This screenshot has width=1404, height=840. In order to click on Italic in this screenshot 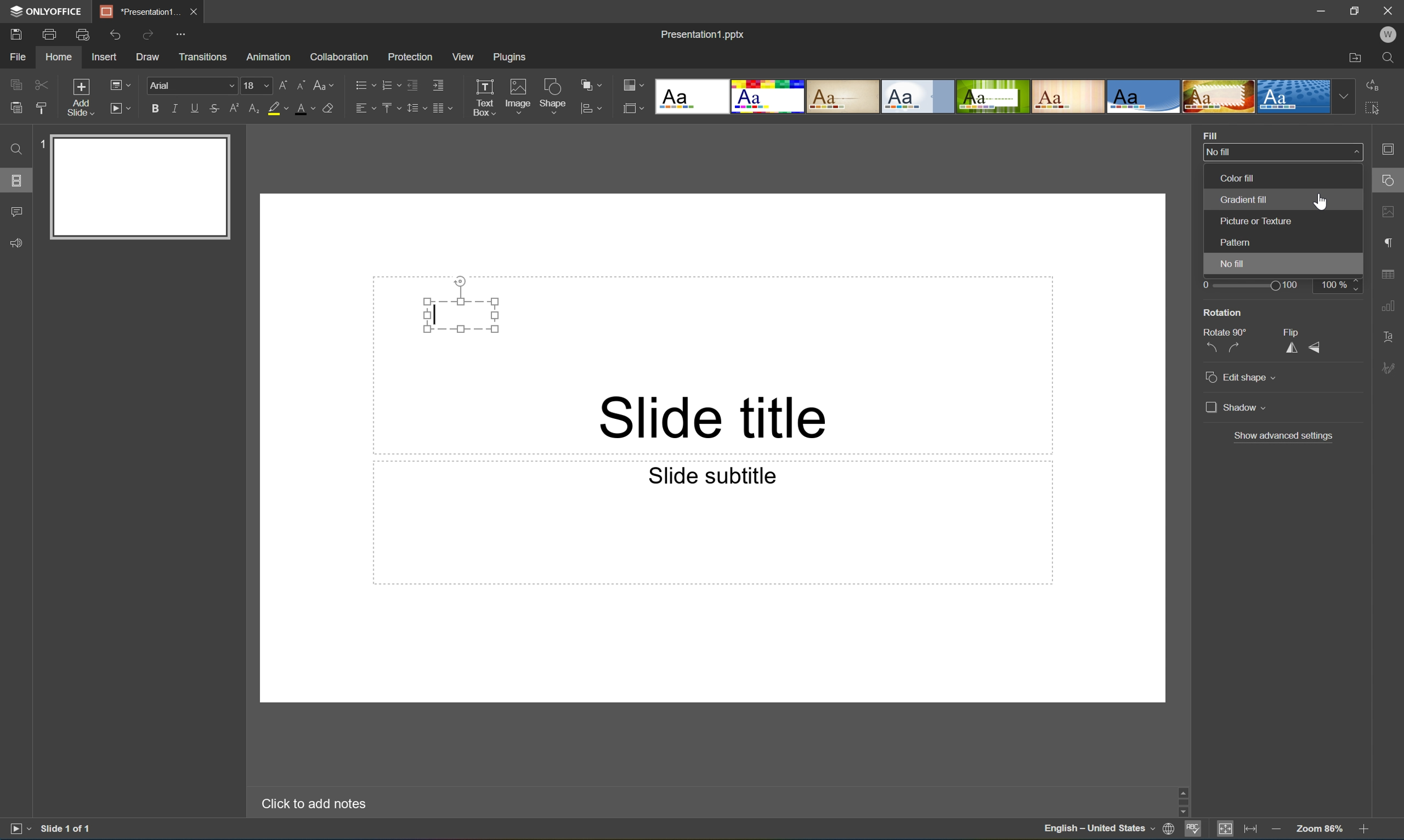, I will do `click(174, 109)`.